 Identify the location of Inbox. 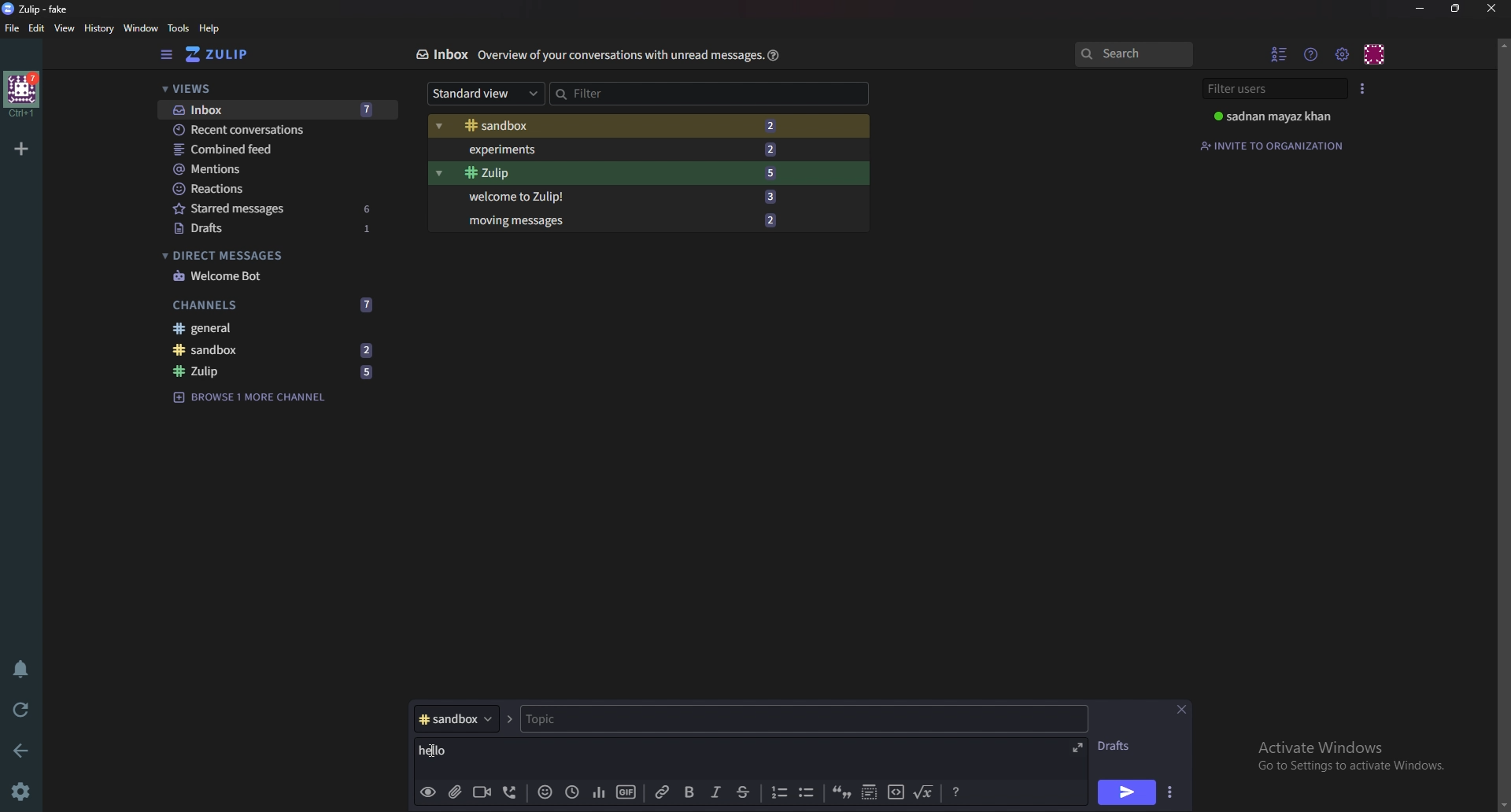
(441, 55).